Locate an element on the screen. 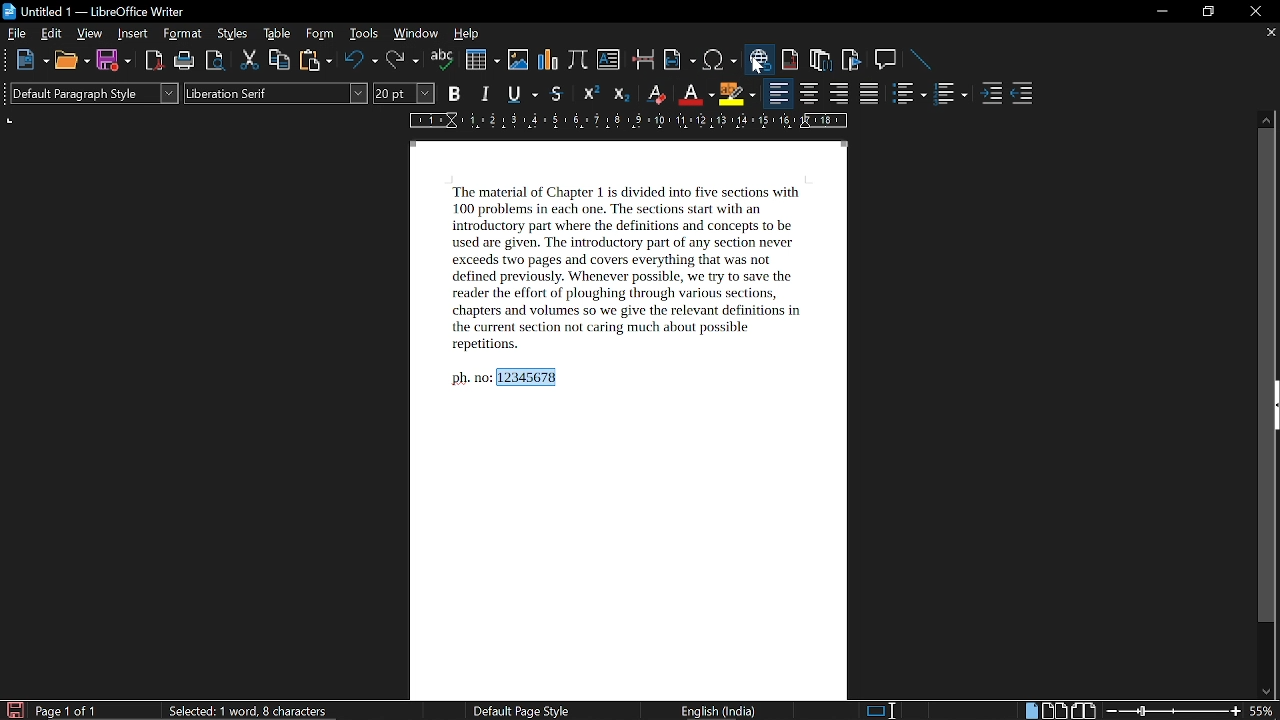 This screenshot has height=720, width=1280. save is located at coordinates (14, 710).